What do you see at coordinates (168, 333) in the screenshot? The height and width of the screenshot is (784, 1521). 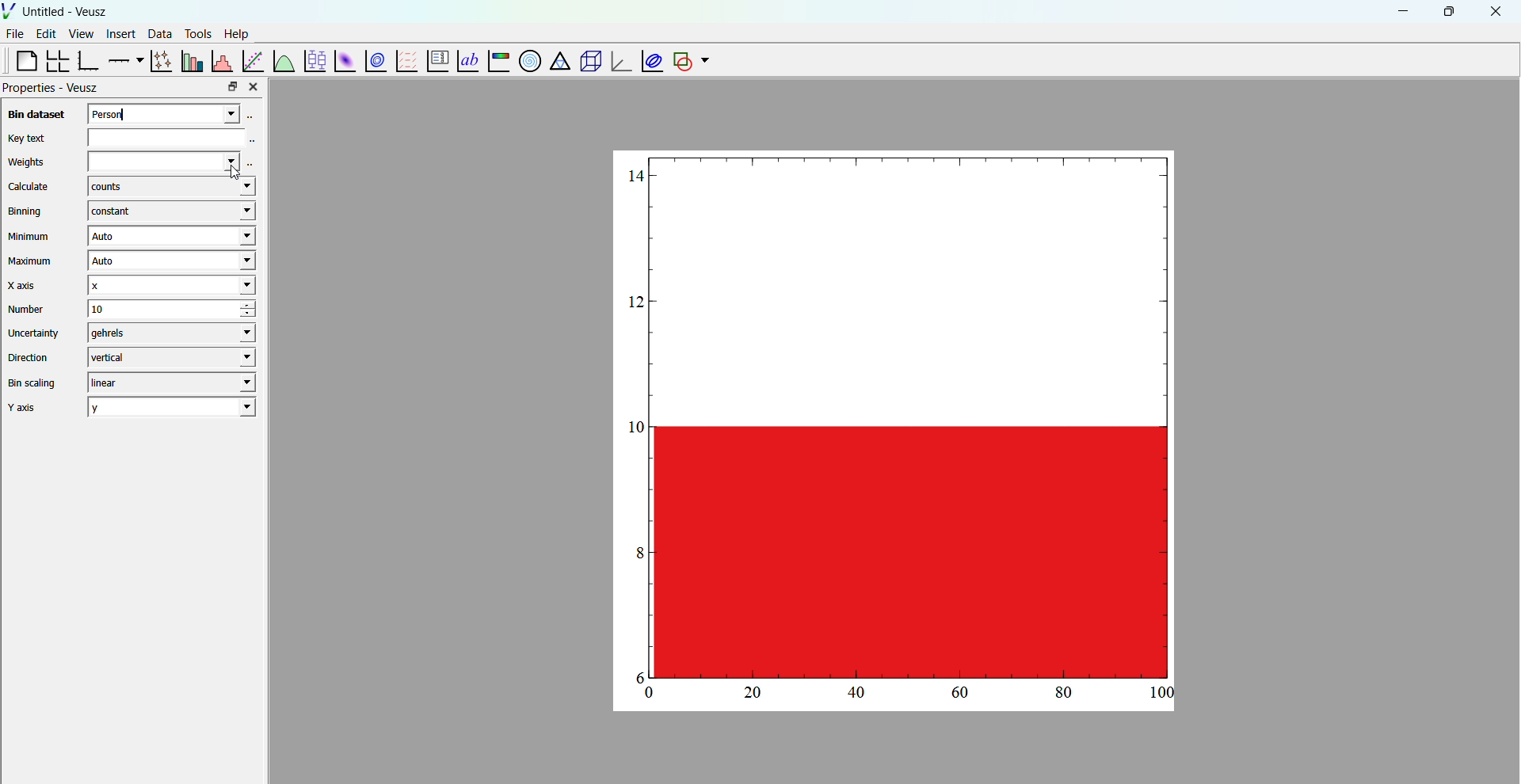 I see `gehrels` at bounding box center [168, 333].